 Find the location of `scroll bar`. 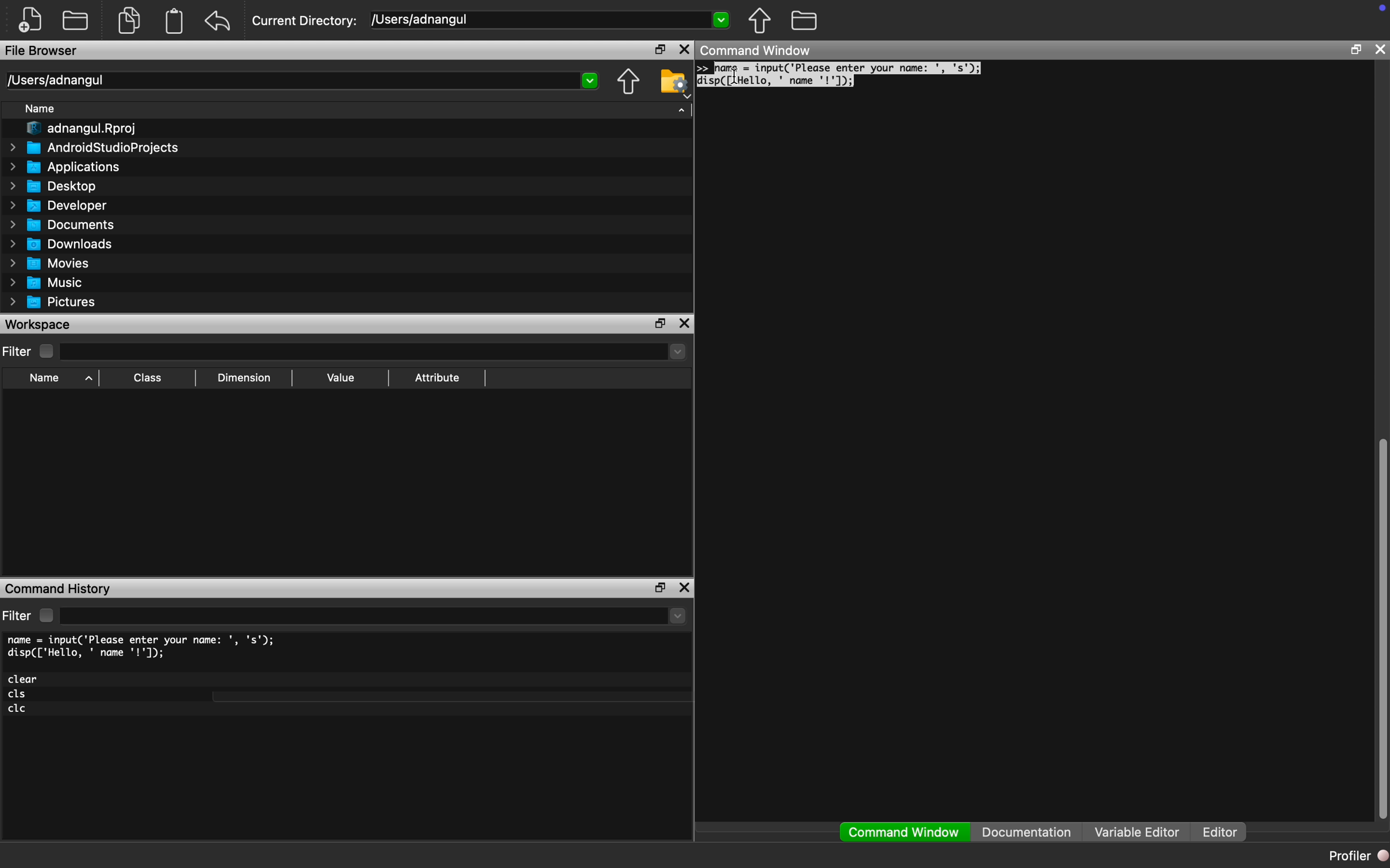

scroll bar is located at coordinates (1381, 625).